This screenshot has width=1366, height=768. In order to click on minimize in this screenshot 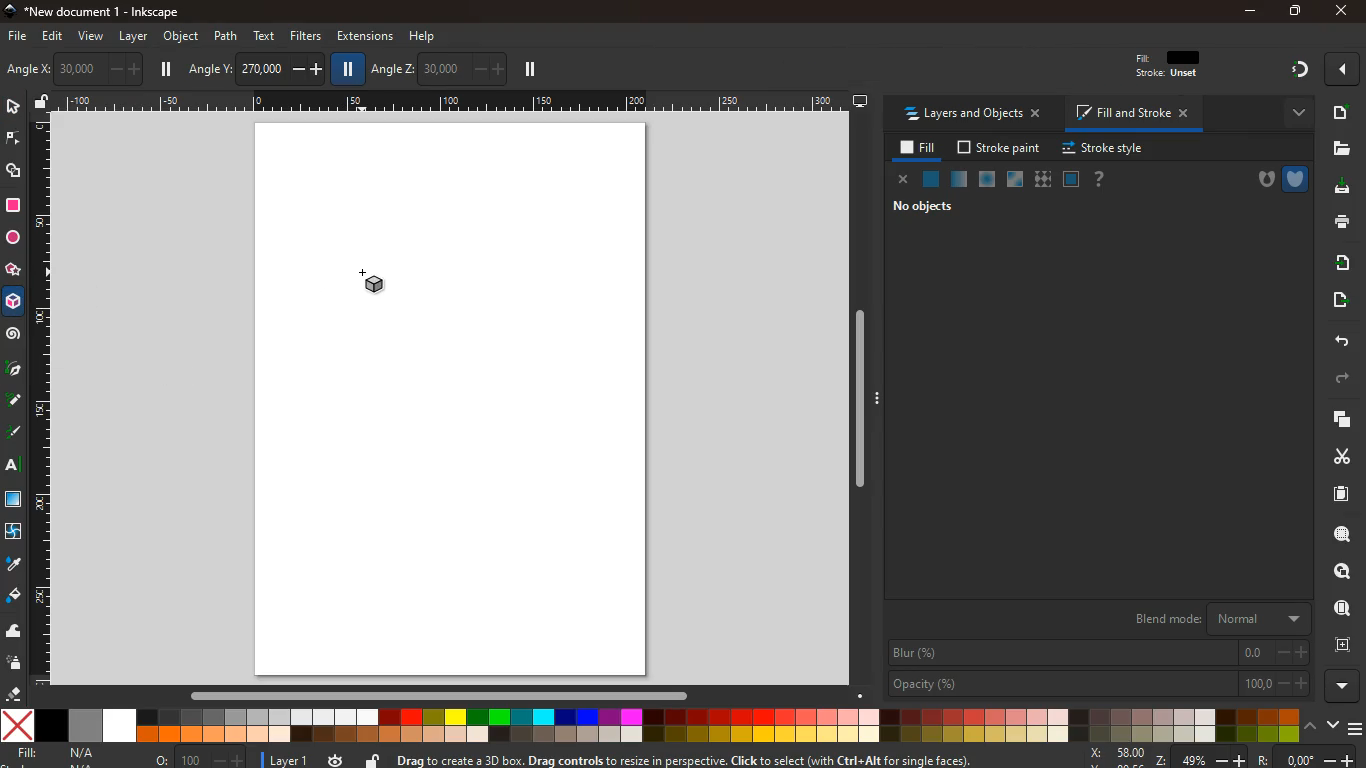, I will do `click(1250, 11)`.